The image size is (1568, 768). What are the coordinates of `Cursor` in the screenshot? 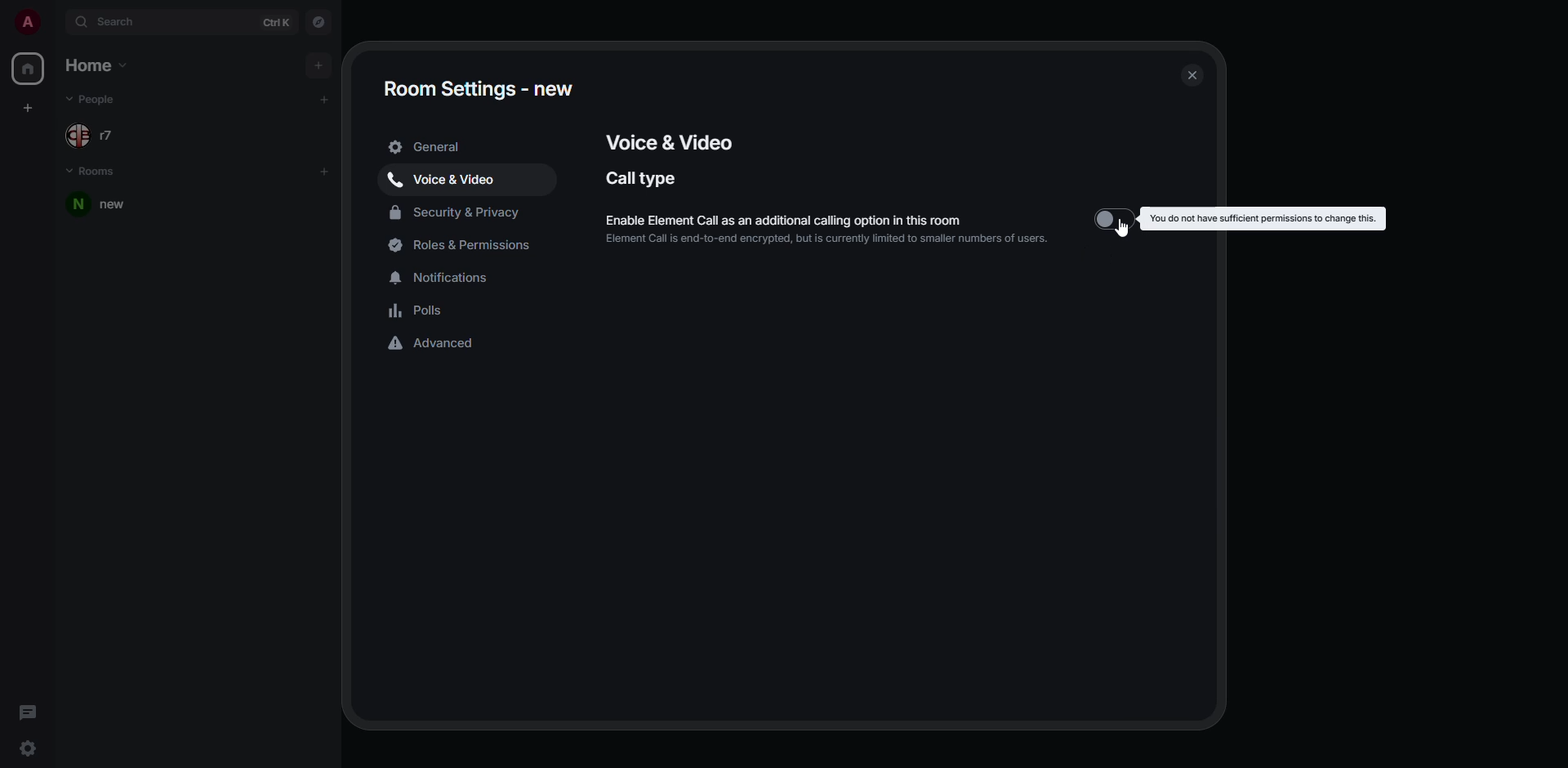 It's located at (1120, 228).